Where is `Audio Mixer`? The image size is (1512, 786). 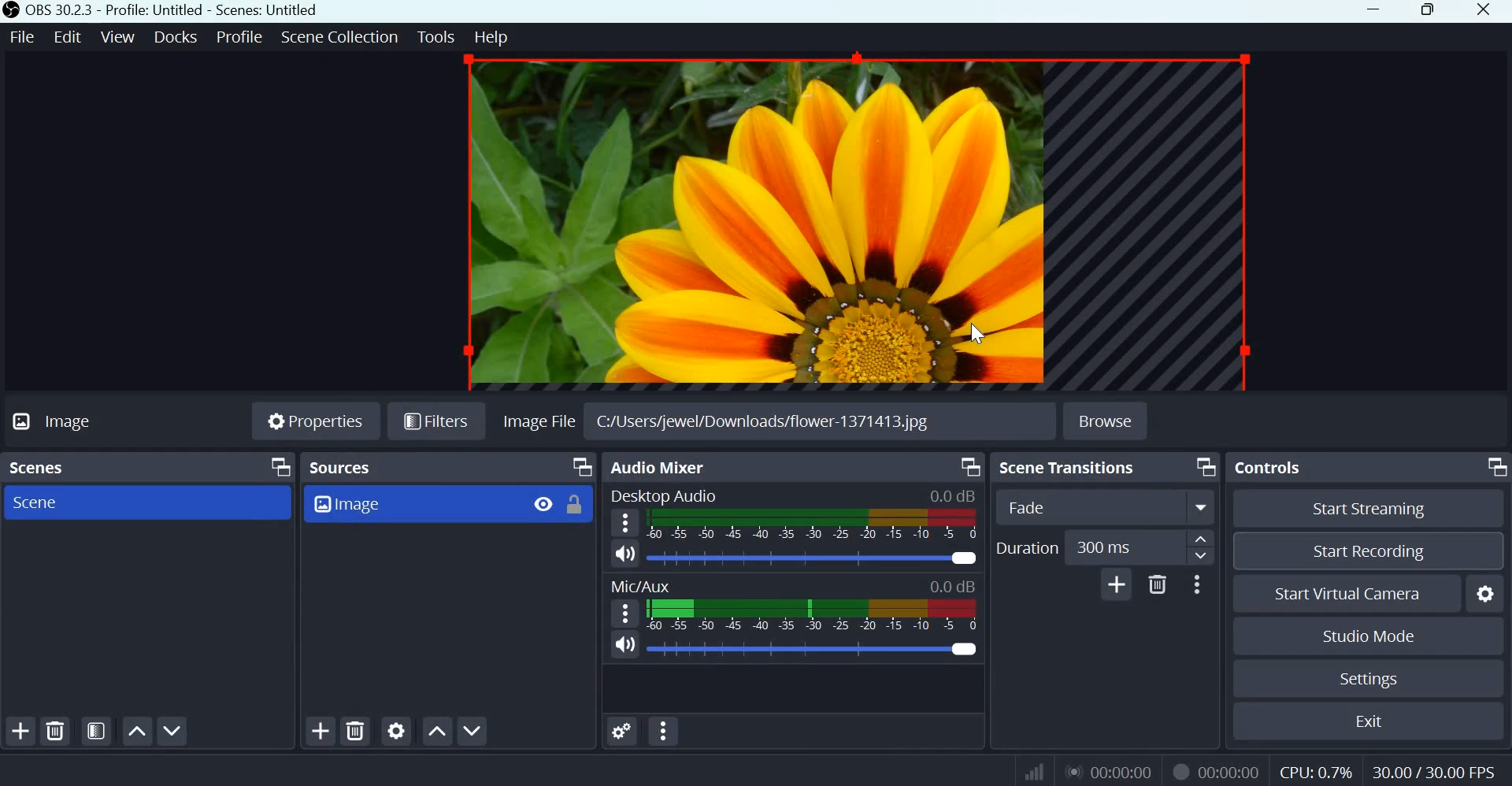
Audio Mixer is located at coordinates (658, 469).